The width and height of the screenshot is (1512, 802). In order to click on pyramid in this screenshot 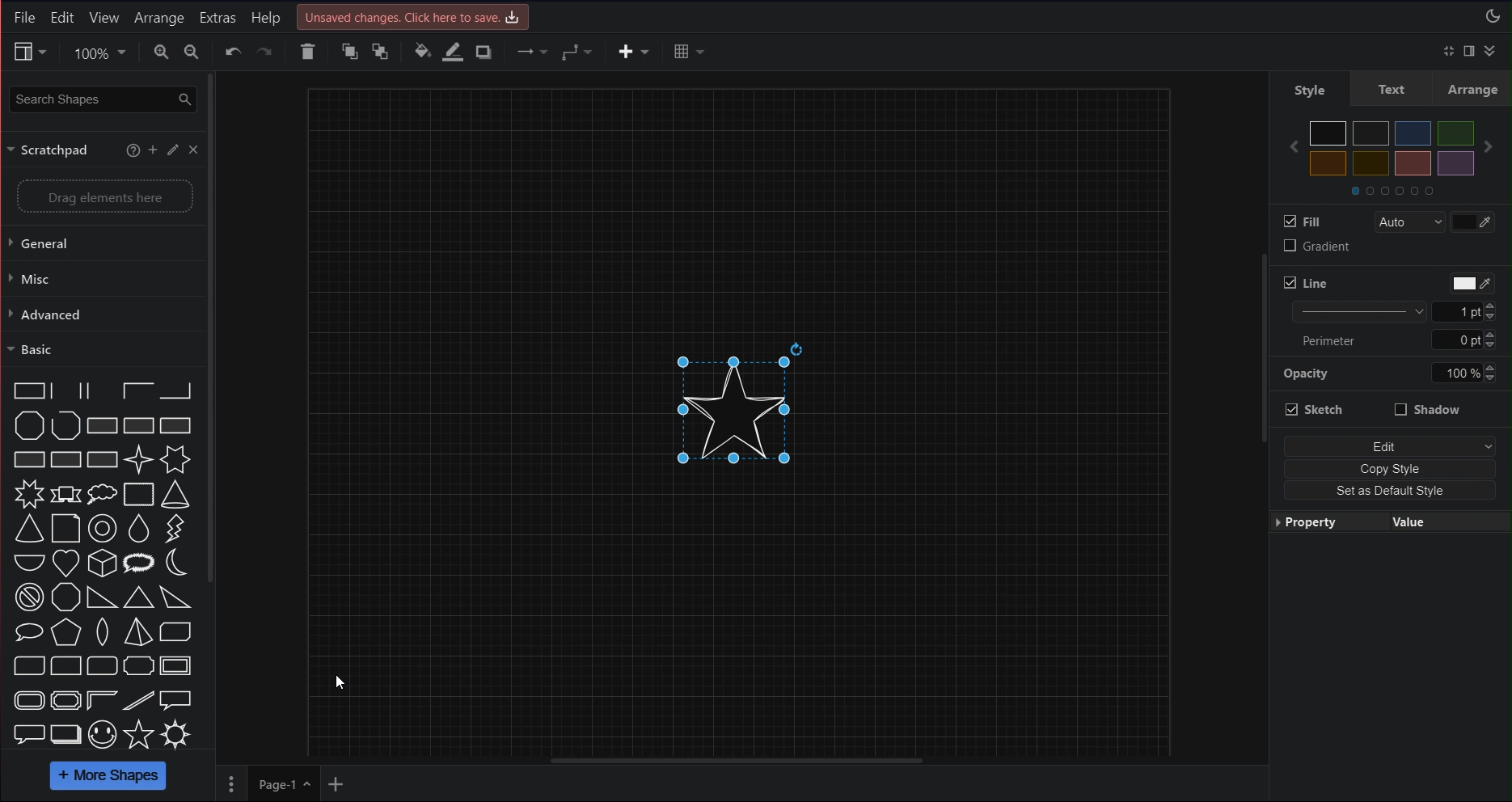, I will do `click(137, 631)`.